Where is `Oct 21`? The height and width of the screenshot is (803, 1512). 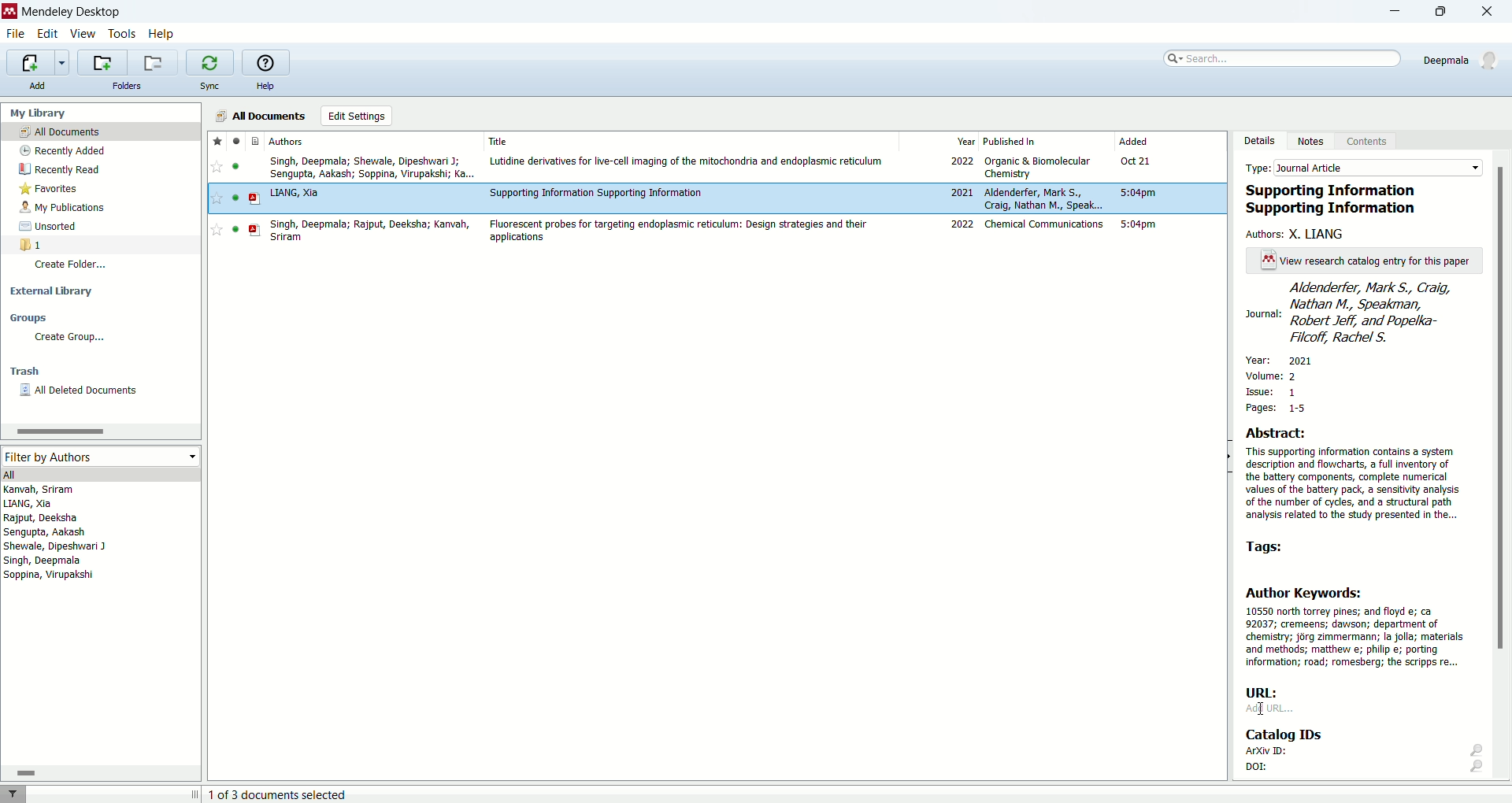 Oct 21 is located at coordinates (1136, 160).